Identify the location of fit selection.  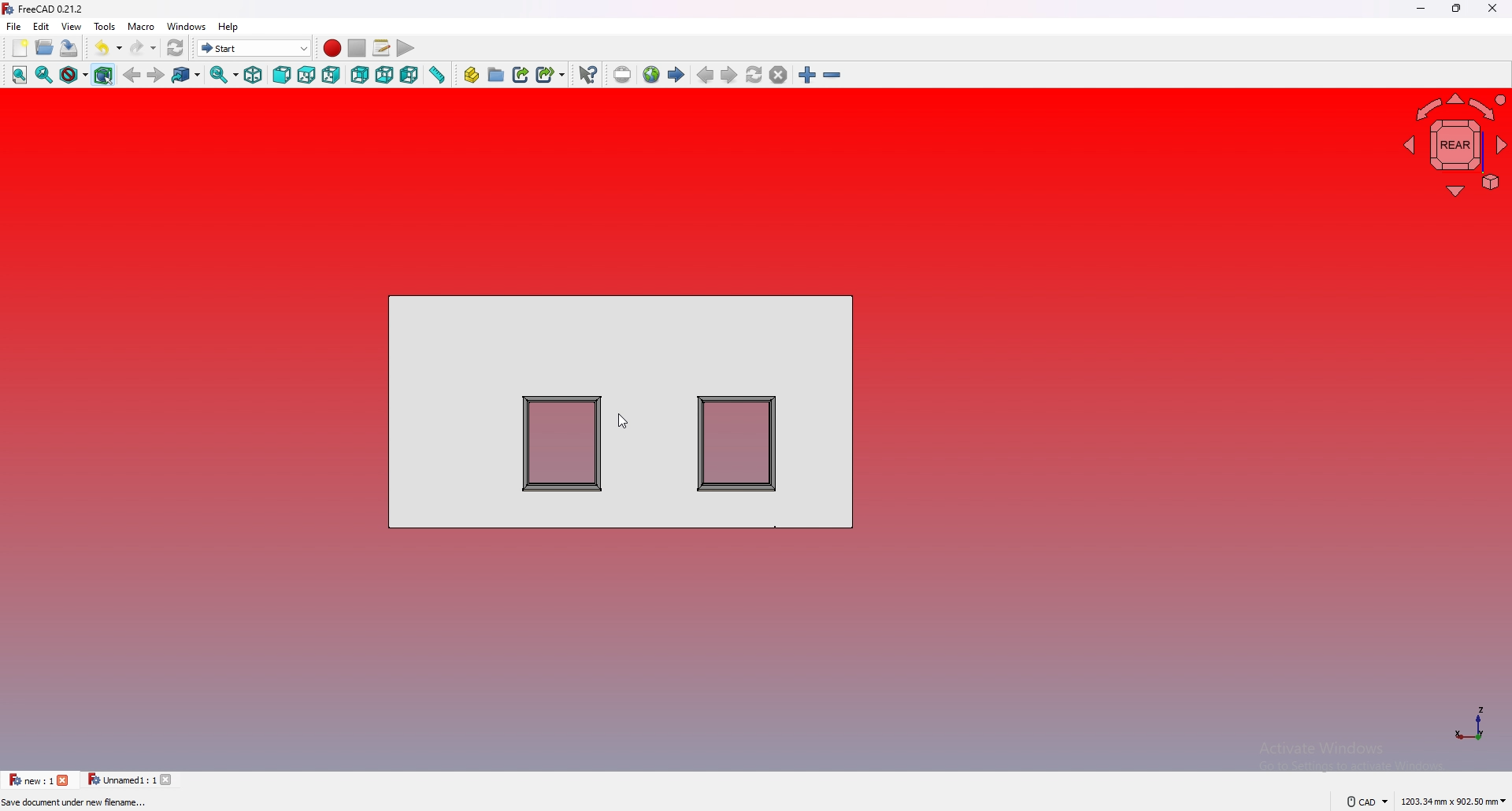
(45, 74).